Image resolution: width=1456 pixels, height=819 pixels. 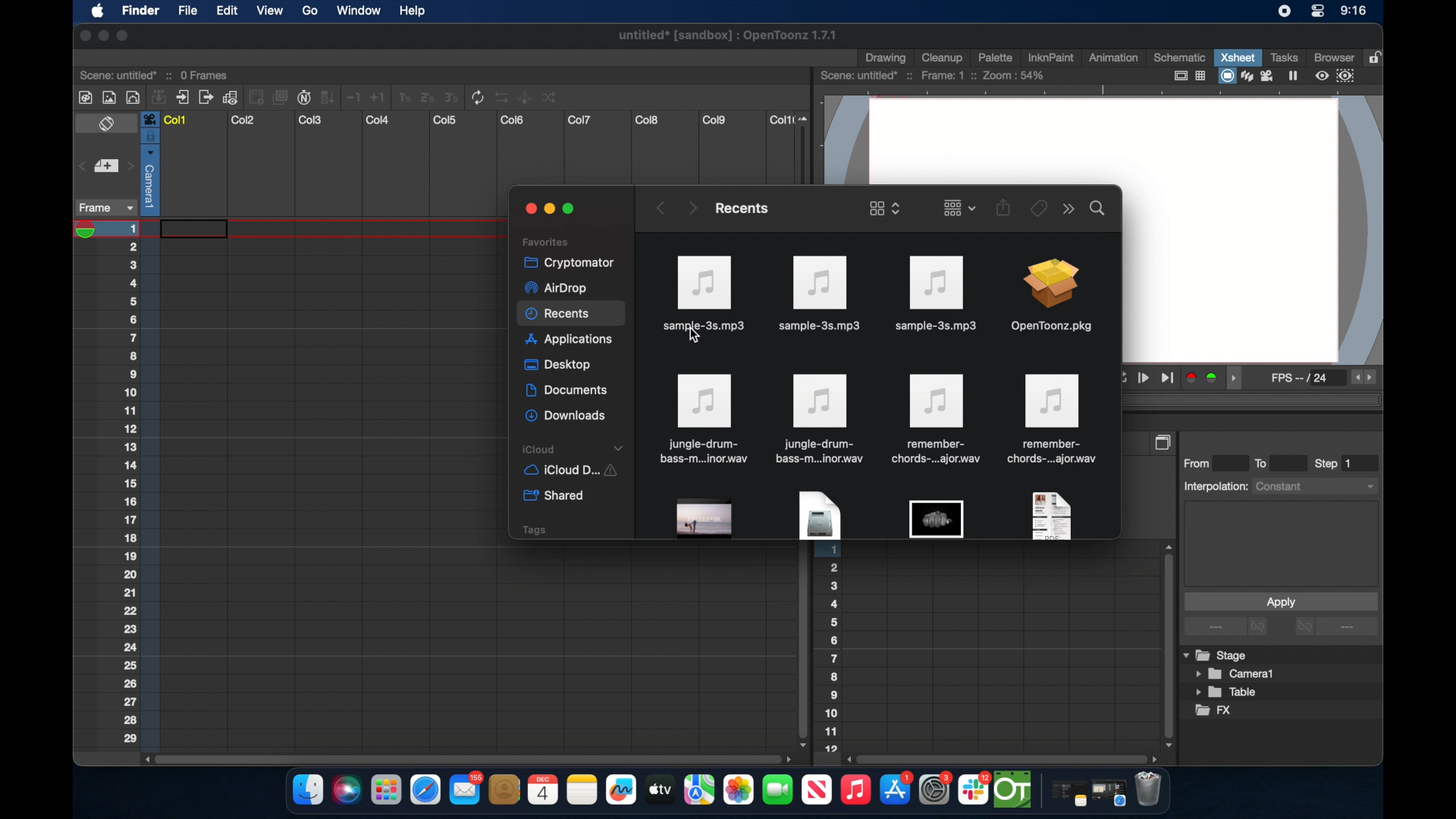 I want to click on file, so click(x=1054, y=419).